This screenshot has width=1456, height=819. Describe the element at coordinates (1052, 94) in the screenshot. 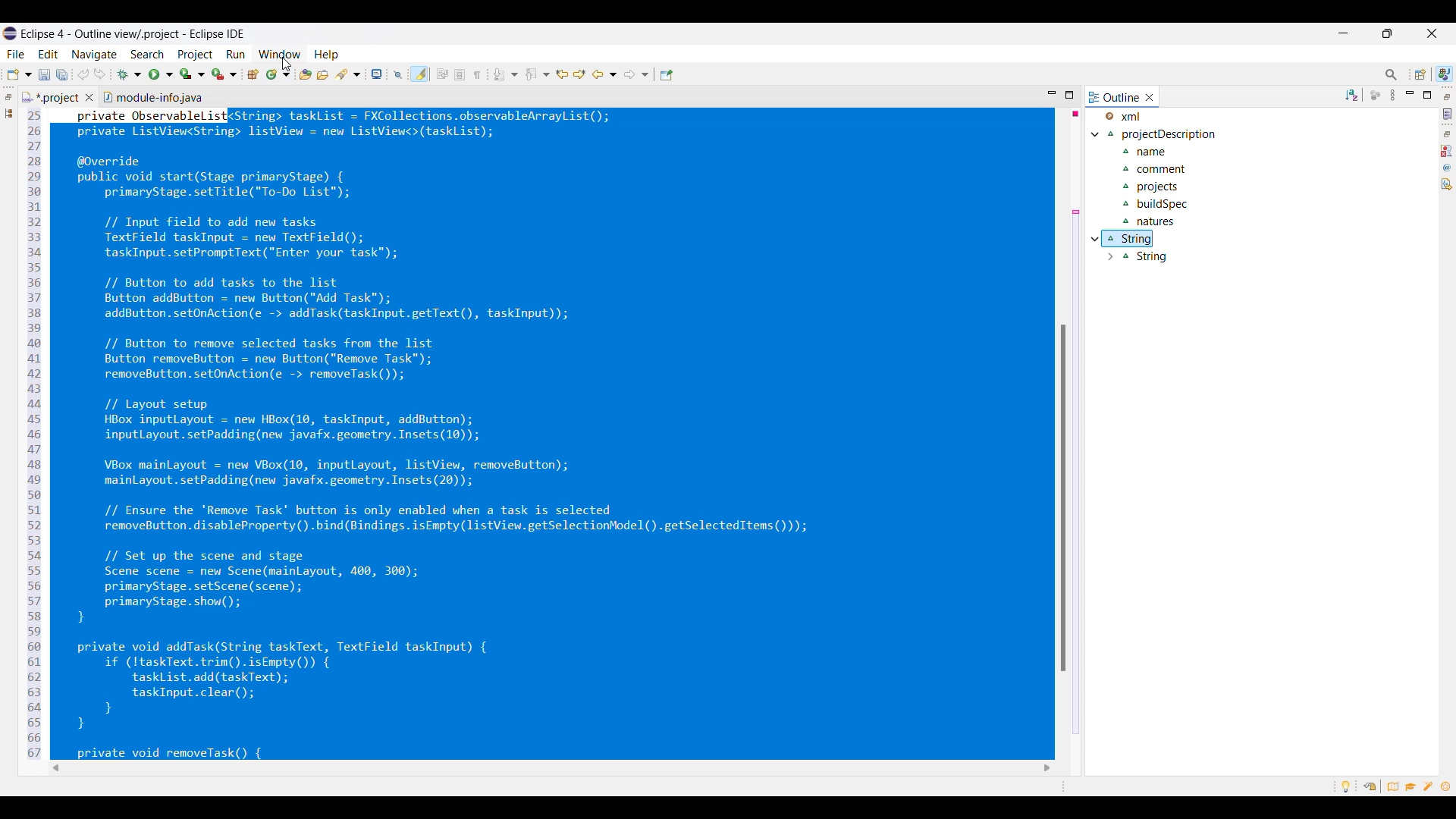

I see `Minimize` at that location.